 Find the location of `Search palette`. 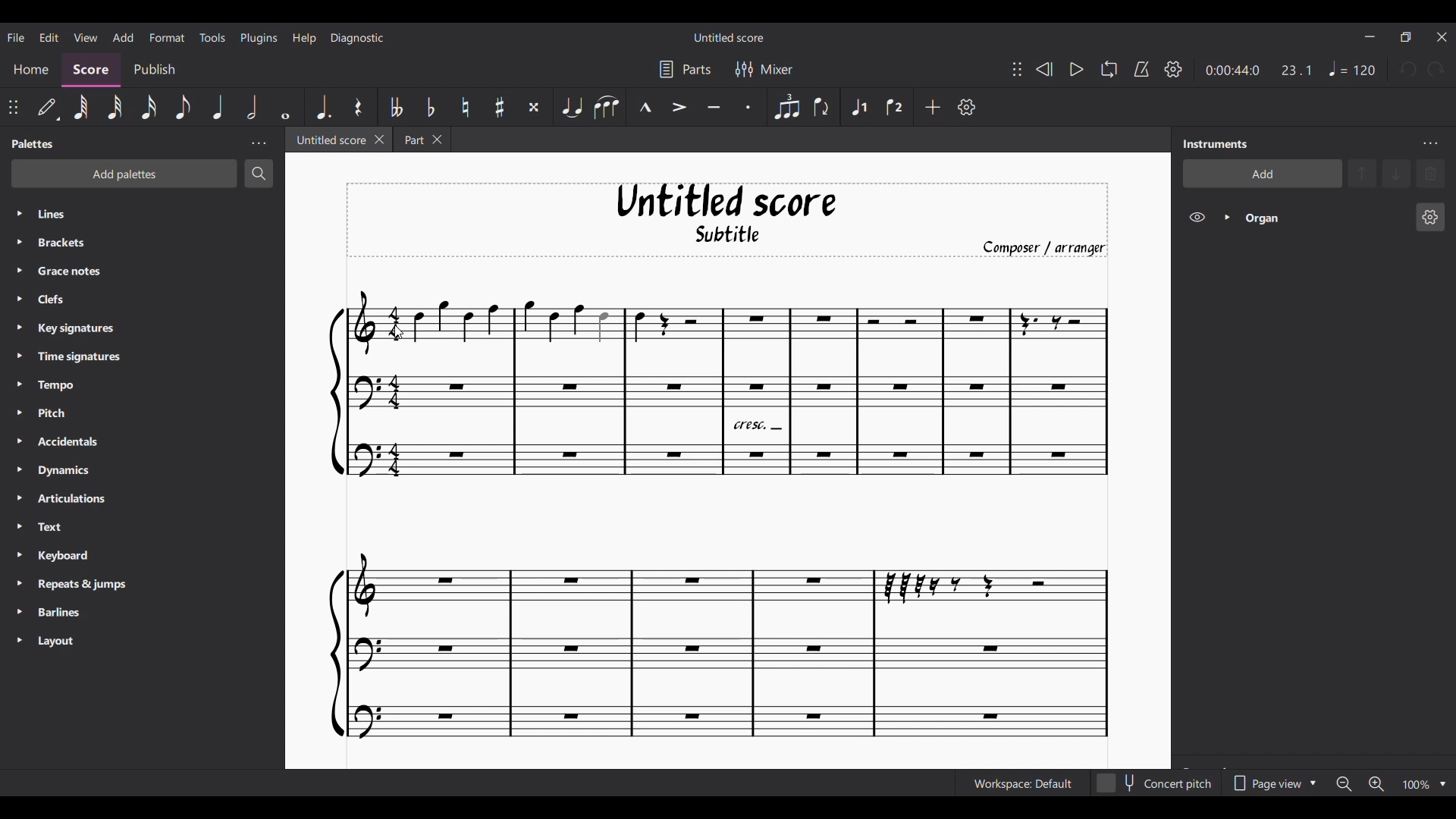

Search palette is located at coordinates (259, 173).